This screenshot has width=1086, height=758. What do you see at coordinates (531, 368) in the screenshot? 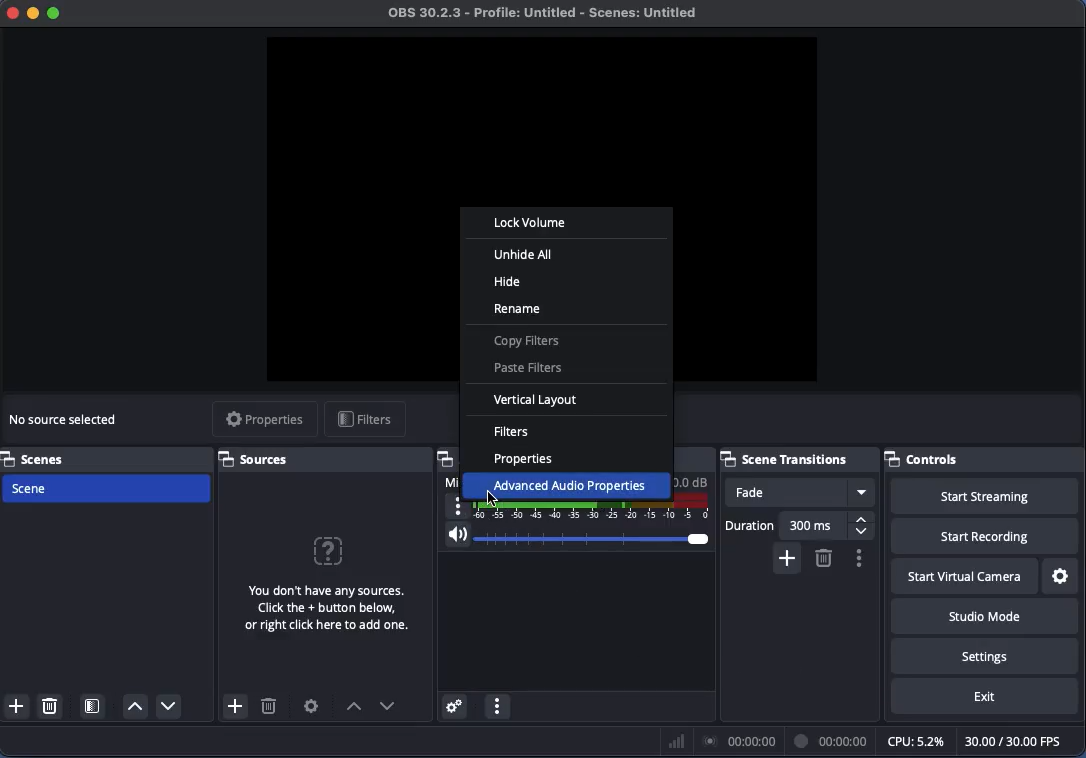
I see `Paste filters` at bounding box center [531, 368].